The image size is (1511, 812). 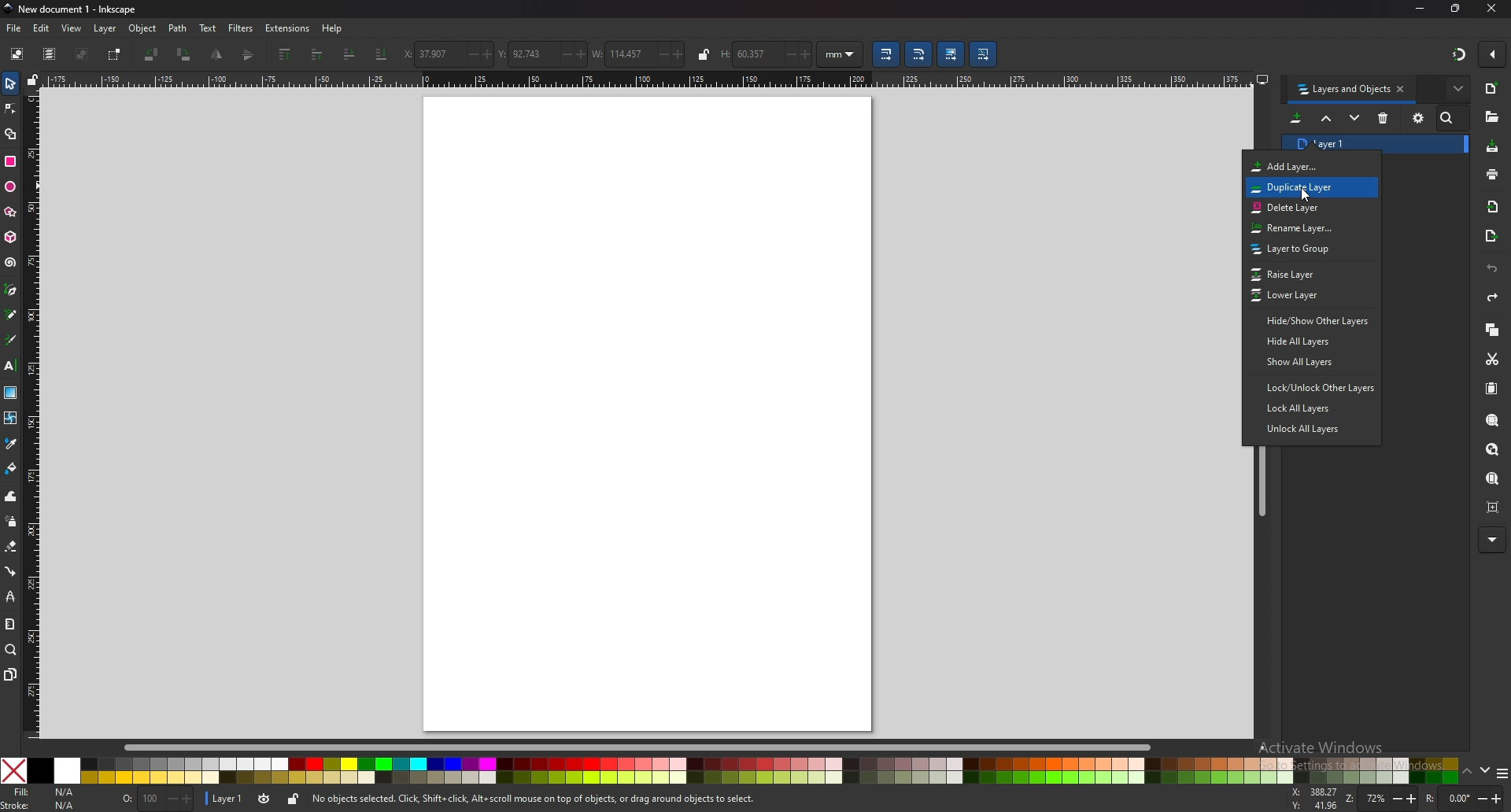 I want to click on duplicate layer, so click(x=1306, y=188).